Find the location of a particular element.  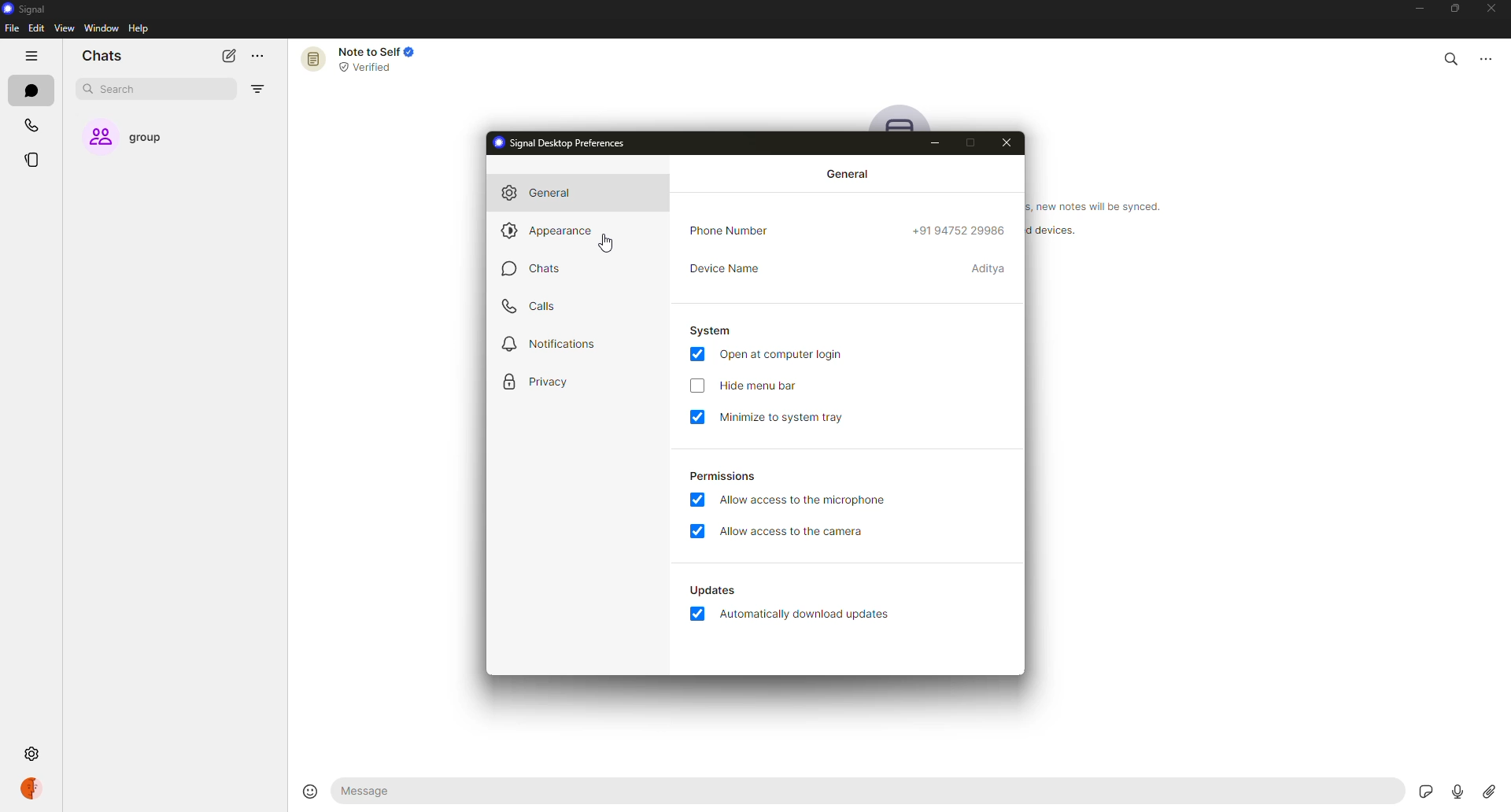

allow access to camera is located at coordinates (791, 531).